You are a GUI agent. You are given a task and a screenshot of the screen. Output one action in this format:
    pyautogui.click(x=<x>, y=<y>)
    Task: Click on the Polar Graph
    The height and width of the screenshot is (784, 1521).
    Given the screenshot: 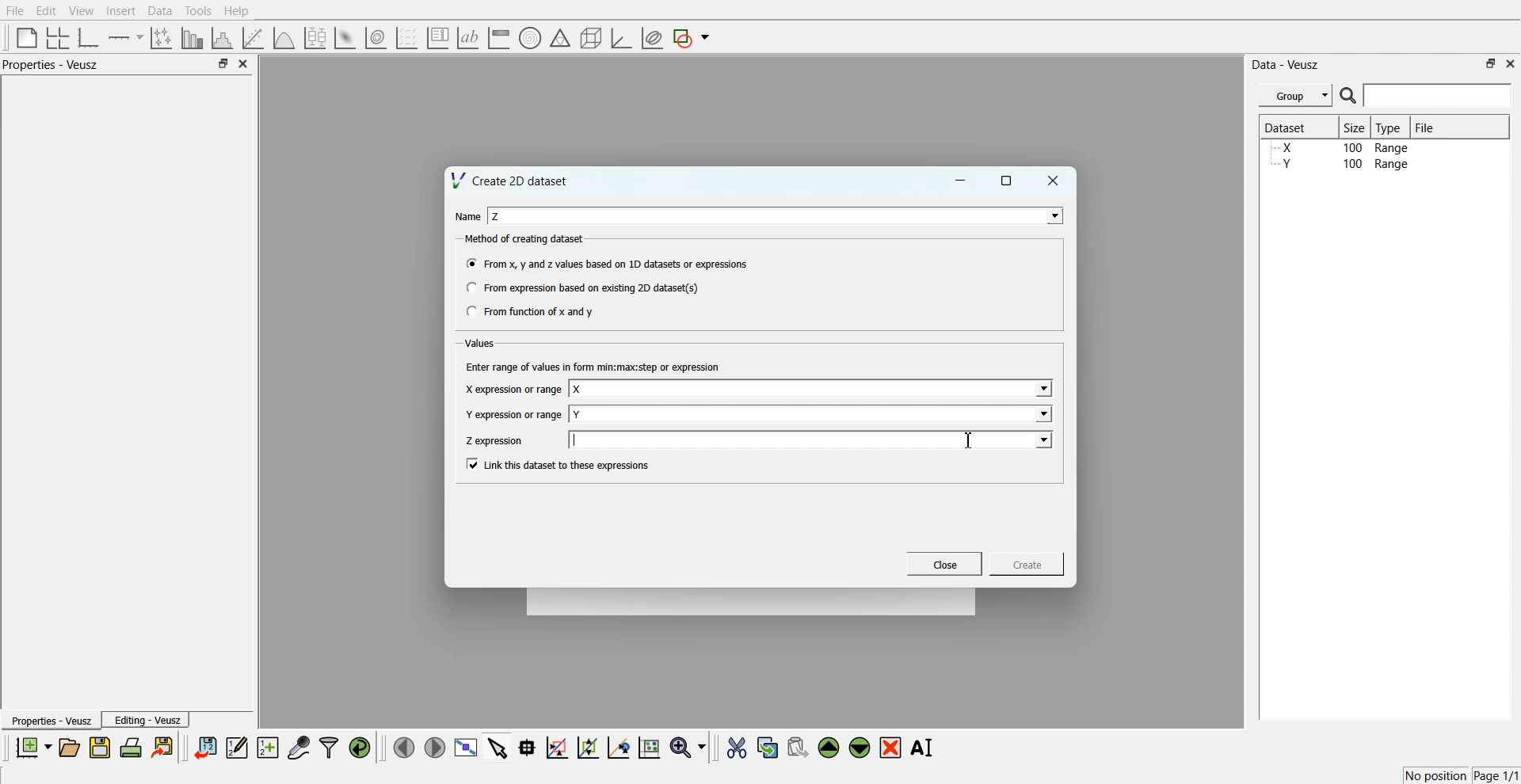 What is the action you would take?
    pyautogui.click(x=530, y=38)
    